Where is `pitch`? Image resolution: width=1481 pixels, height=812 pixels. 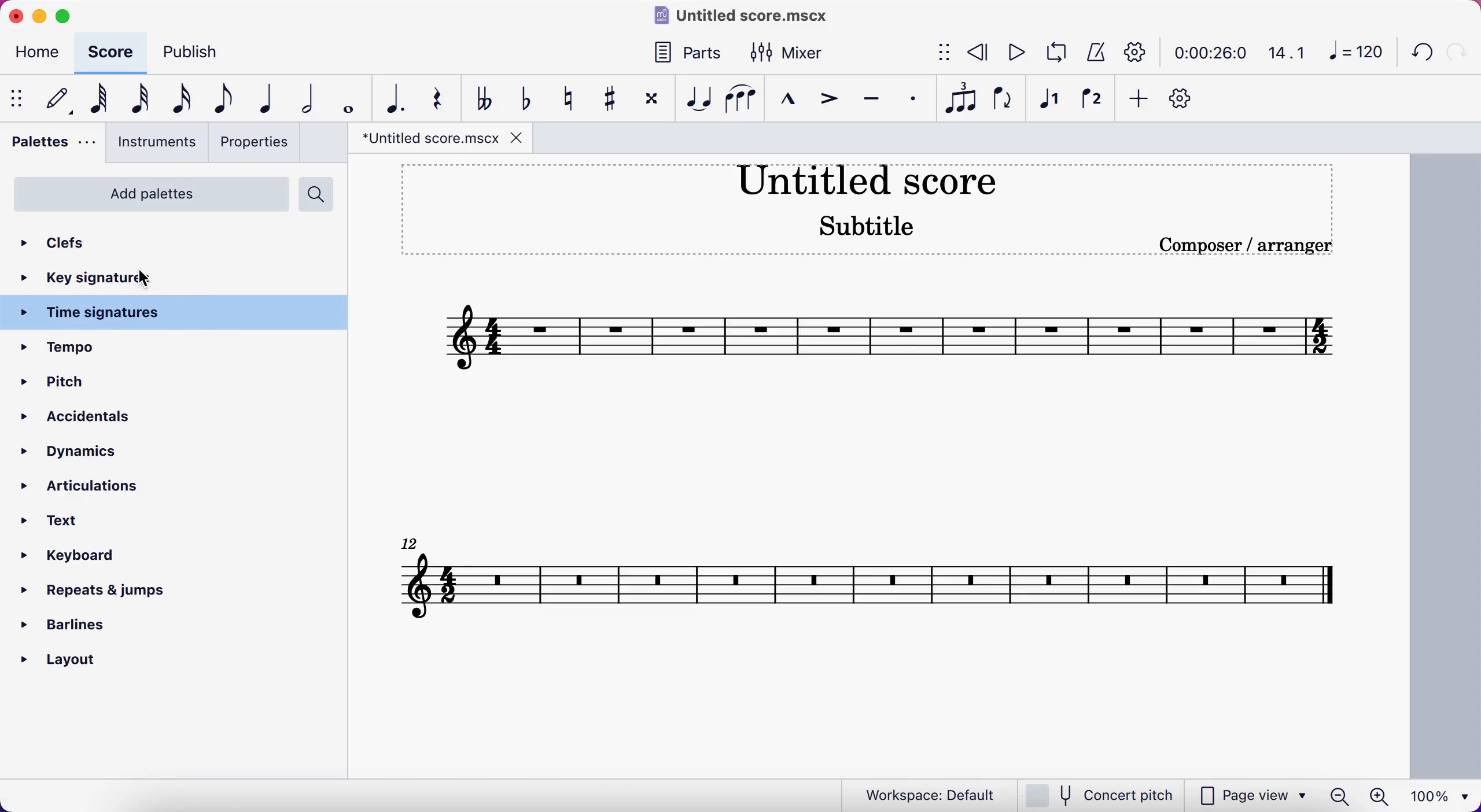 pitch is located at coordinates (108, 383).